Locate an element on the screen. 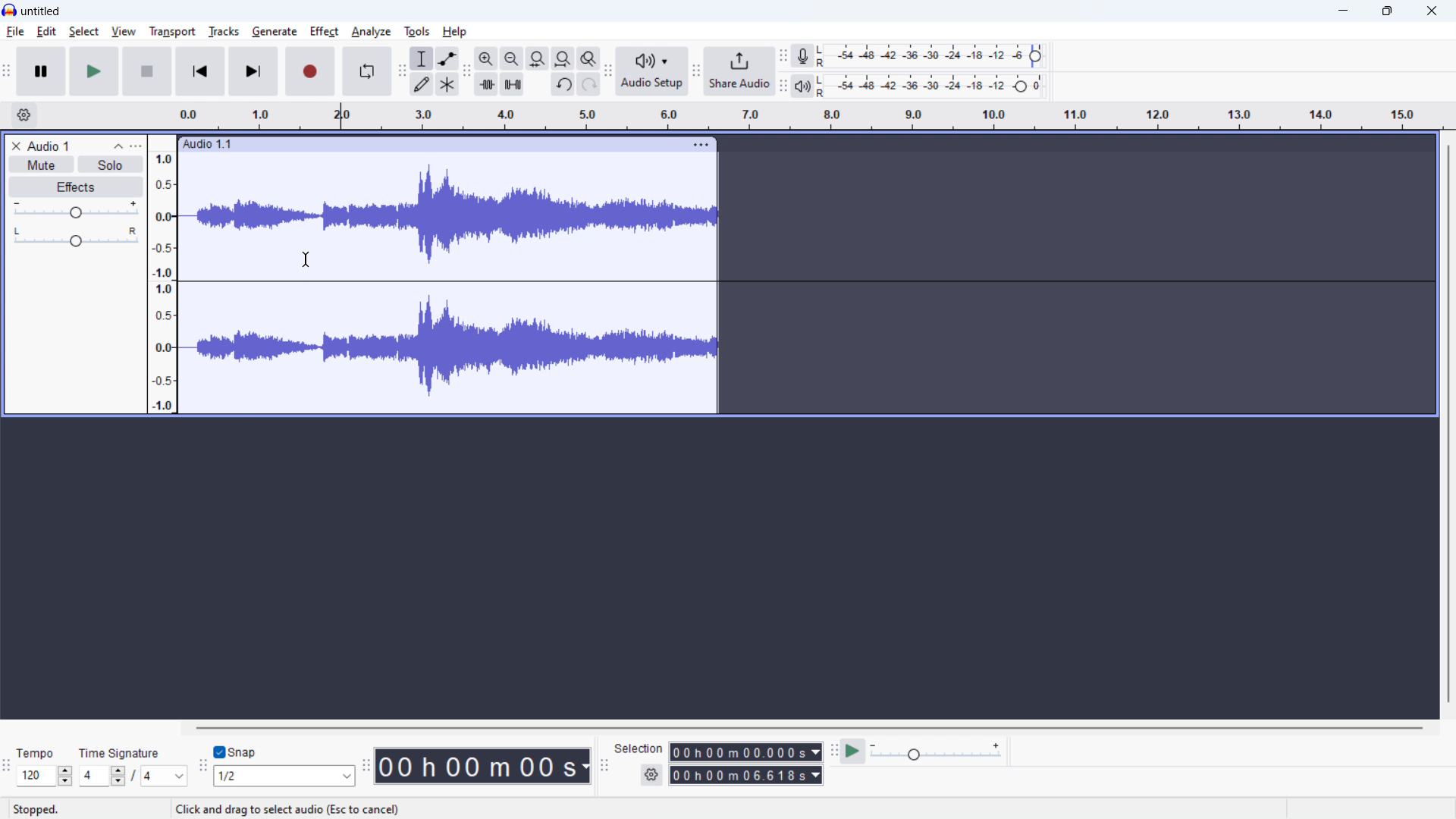 Image resolution: width=1456 pixels, height=819 pixels. share audio is located at coordinates (740, 71).